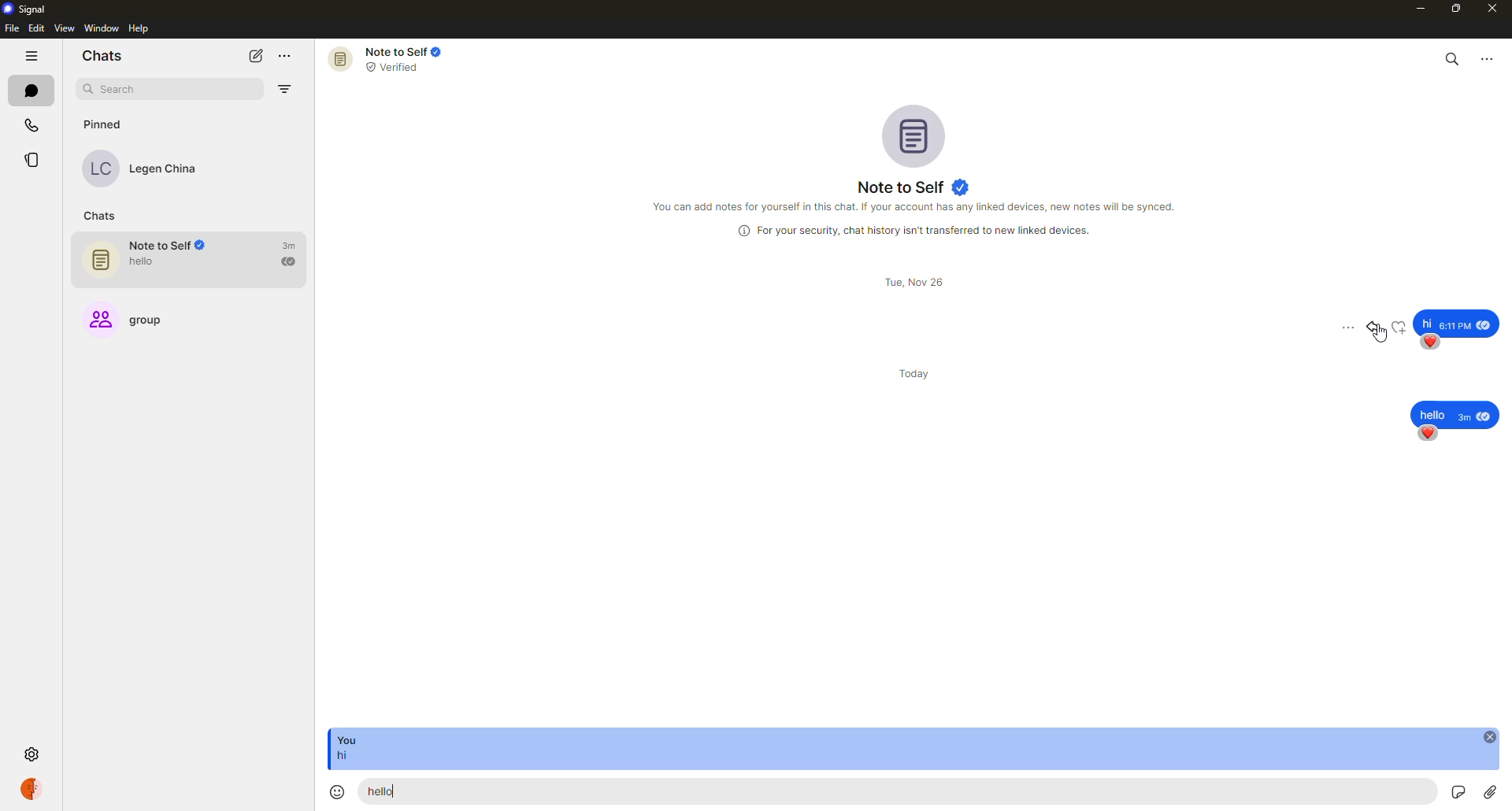 The width and height of the screenshot is (1512, 811). Describe the element at coordinates (919, 207) in the screenshot. I see `info` at that location.